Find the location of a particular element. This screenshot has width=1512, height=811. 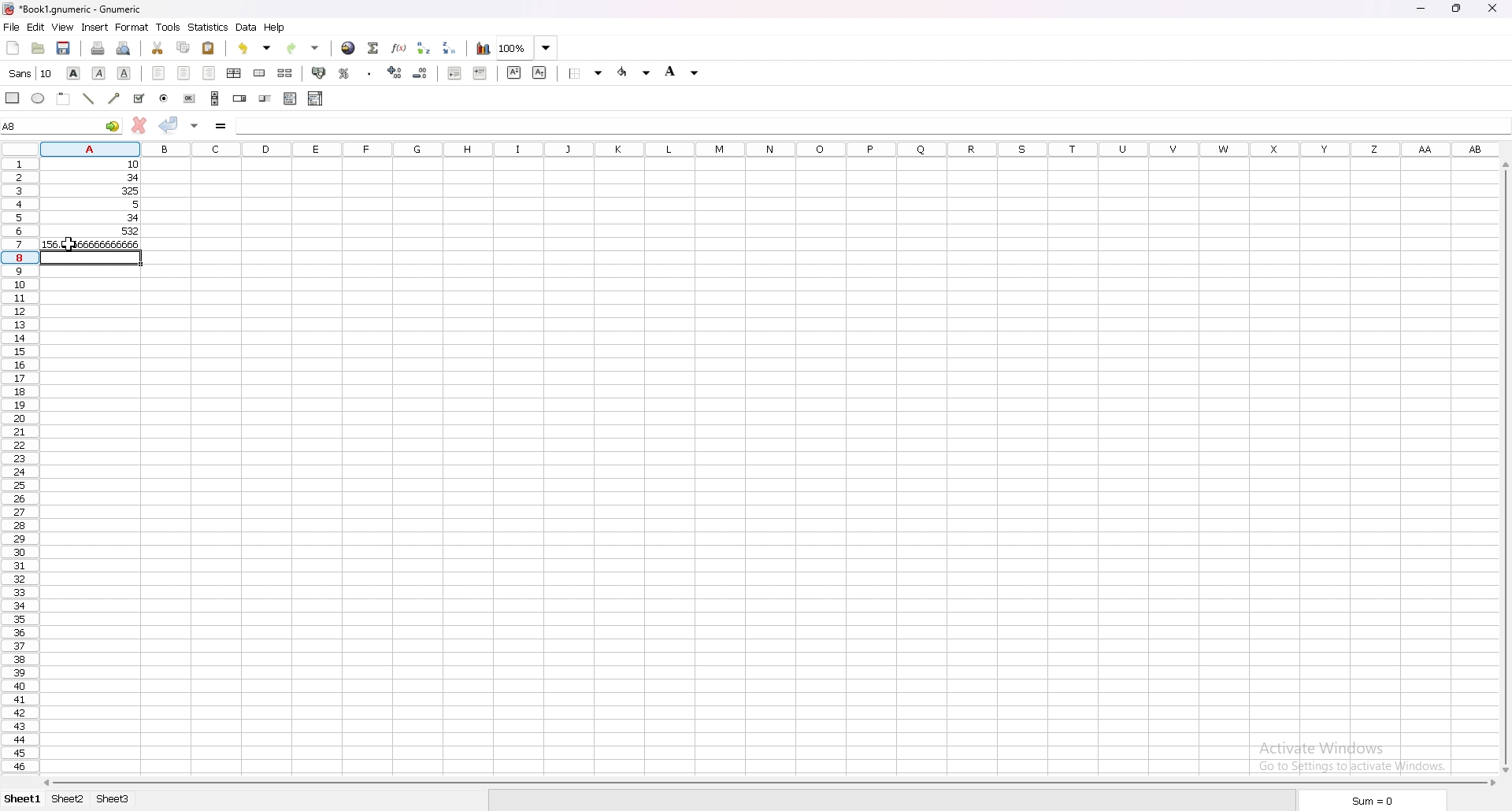

left align is located at coordinates (159, 71).